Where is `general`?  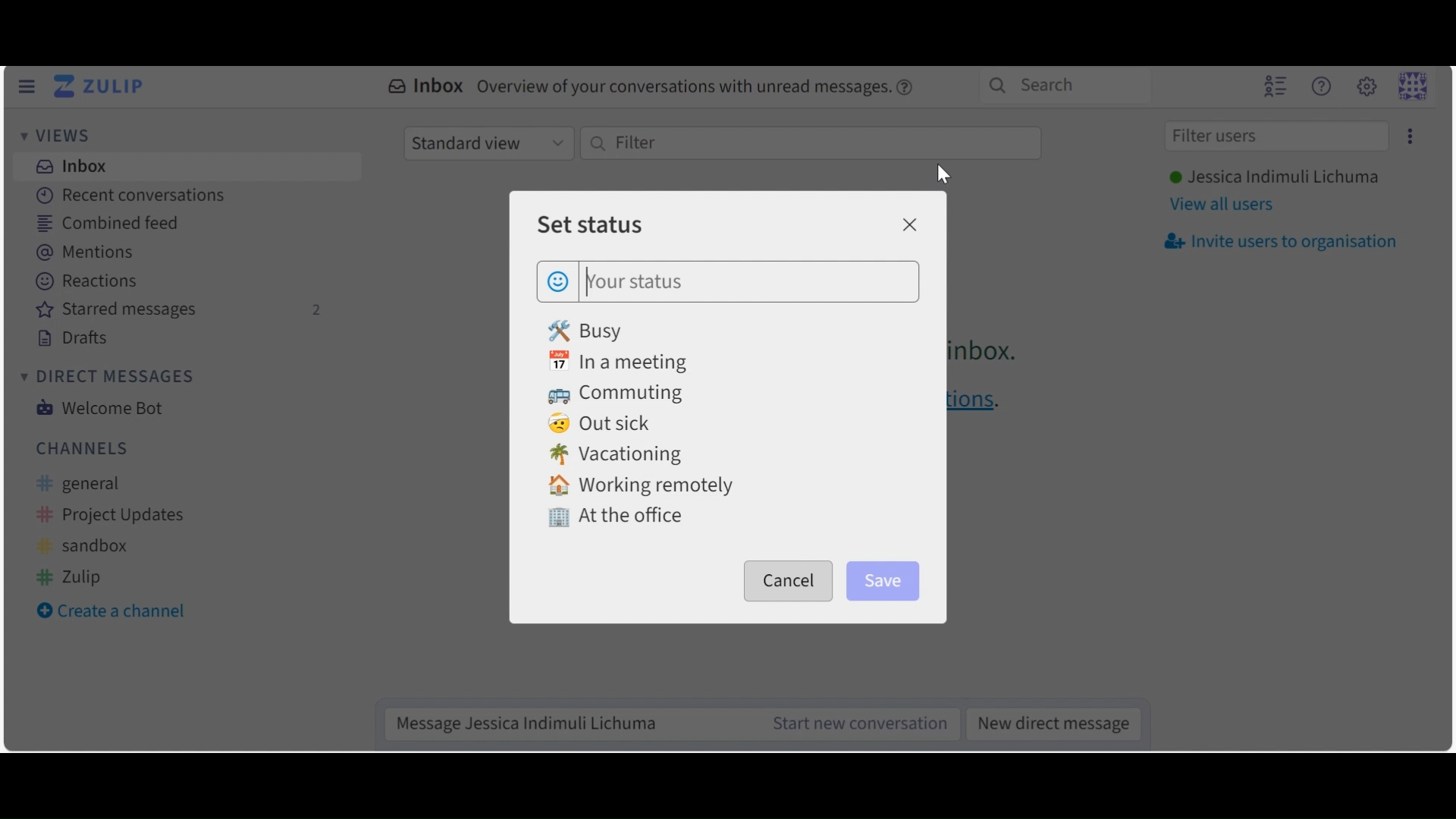
general is located at coordinates (89, 485).